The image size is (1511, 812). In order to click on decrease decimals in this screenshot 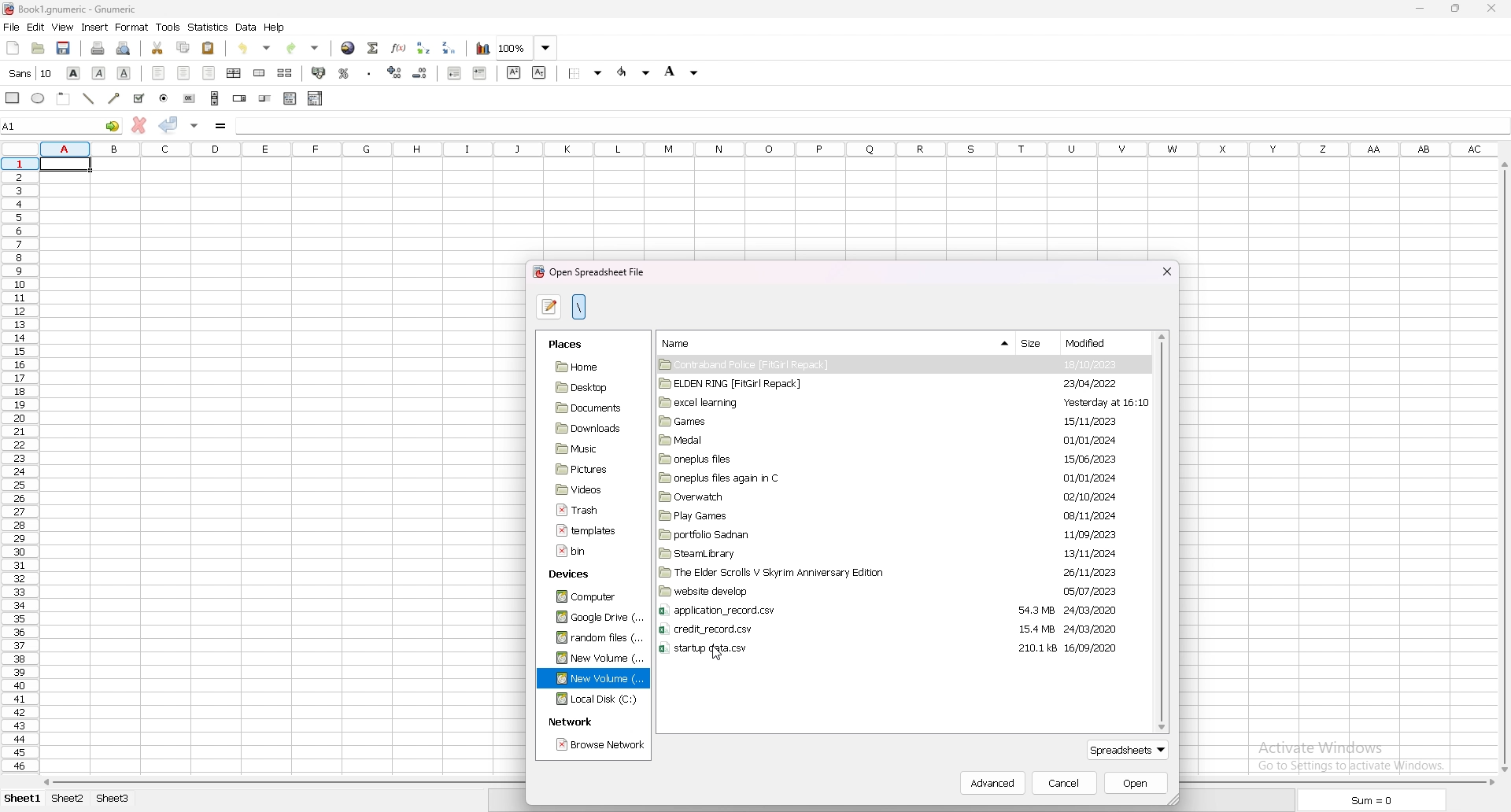, I will do `click(422, 72)`.